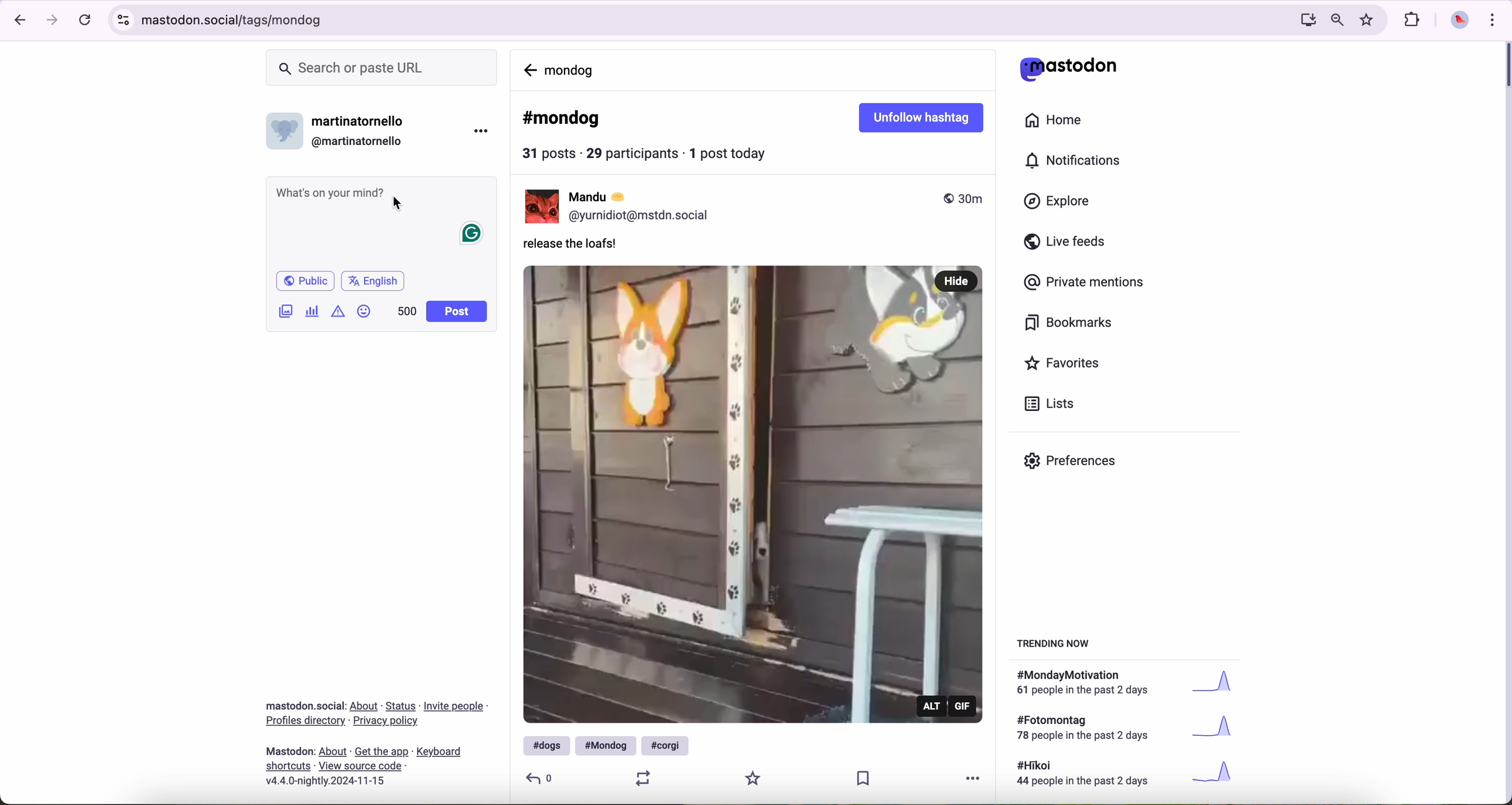 Image resolution: width=1512 pixels, height=805 pixels. What do you see at coordinates (333, 752) in the screenshot?
I see `link` at bounding box center [333, 752].